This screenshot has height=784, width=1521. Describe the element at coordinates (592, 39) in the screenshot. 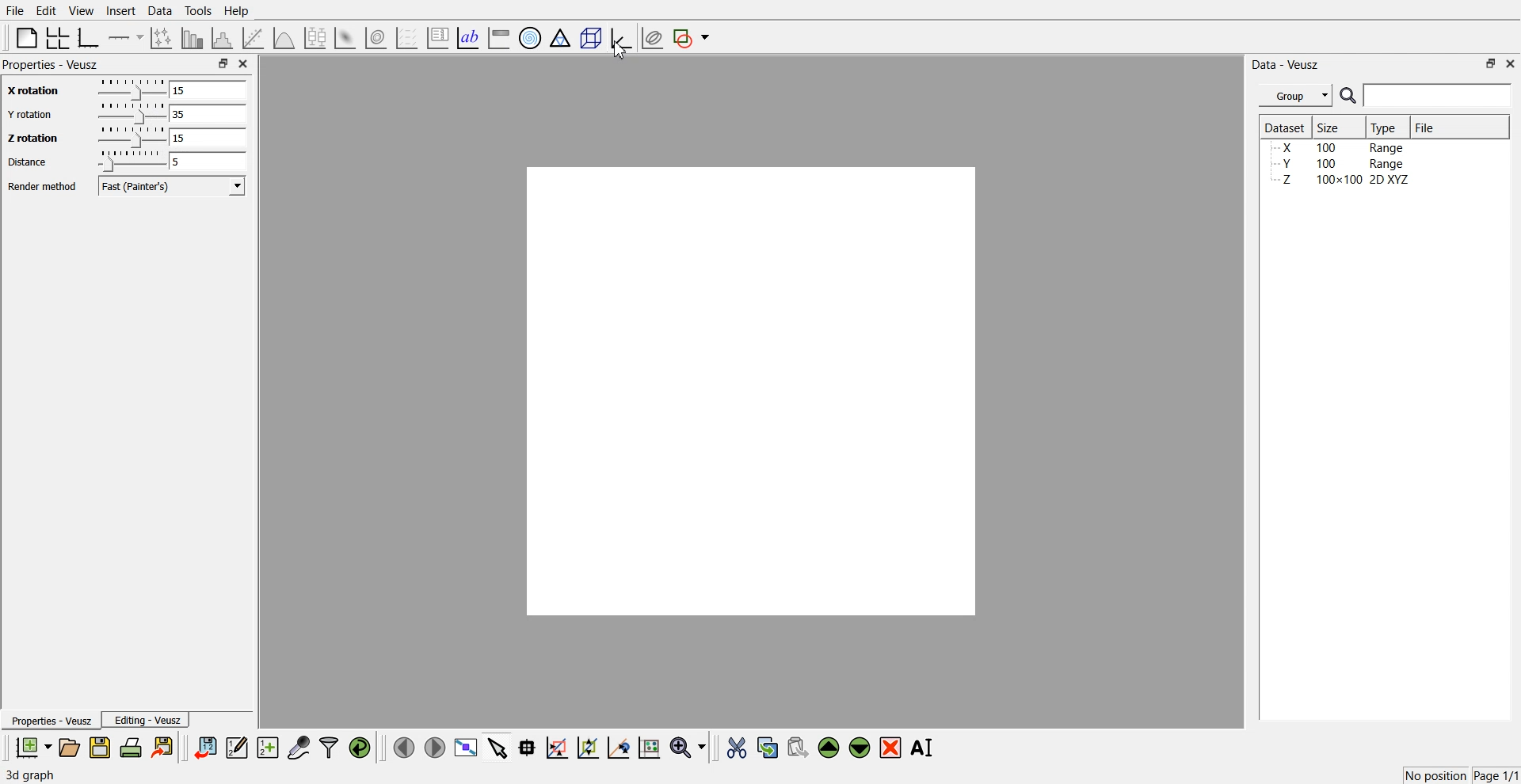

I see `3D Scene` at that location.